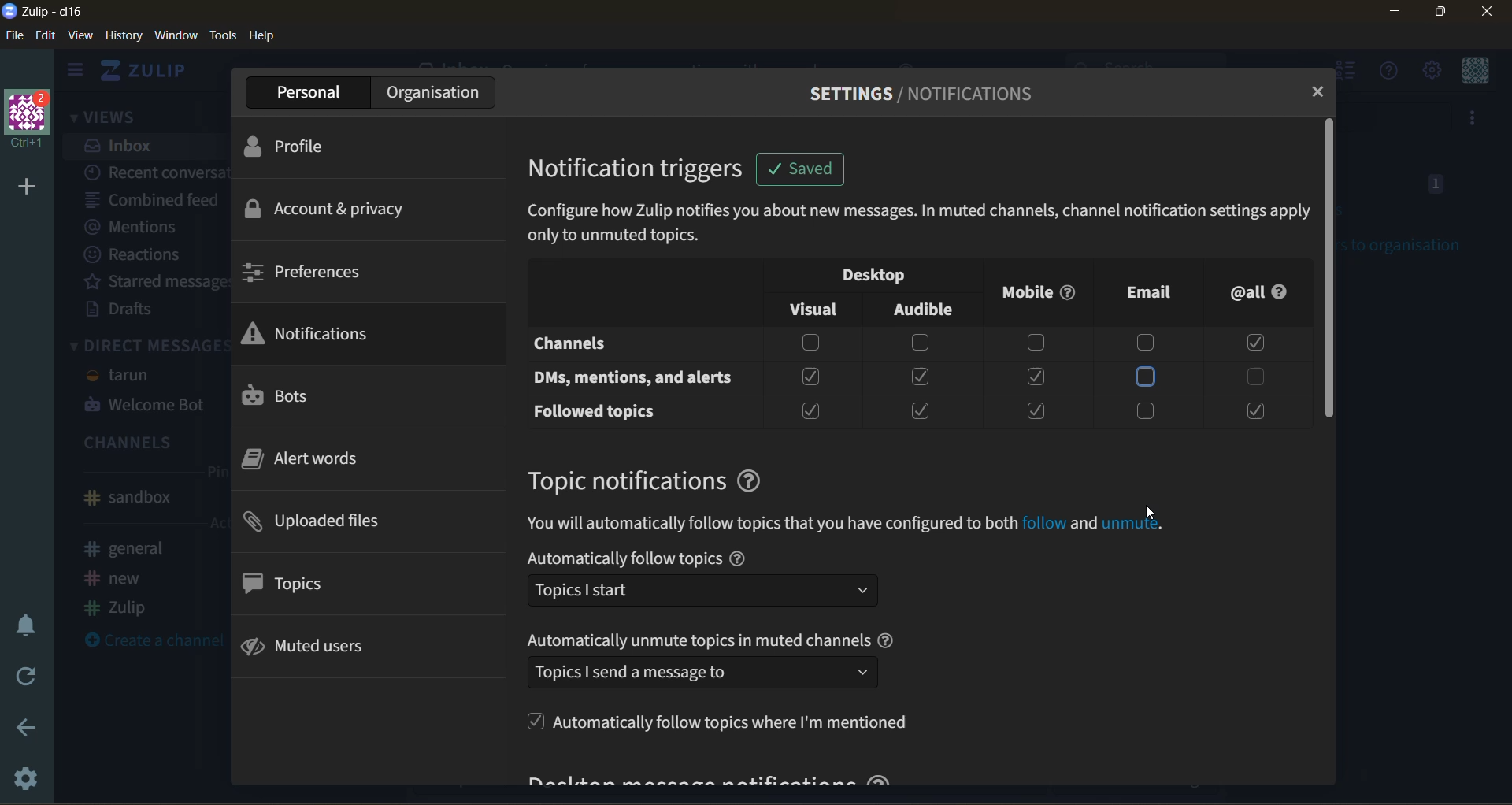 This screenshot has width=1512, height=805. What do you see at coordinates (75, 72) in the screenshot?
I see `hide side bar` at bounding box center [75, 72].